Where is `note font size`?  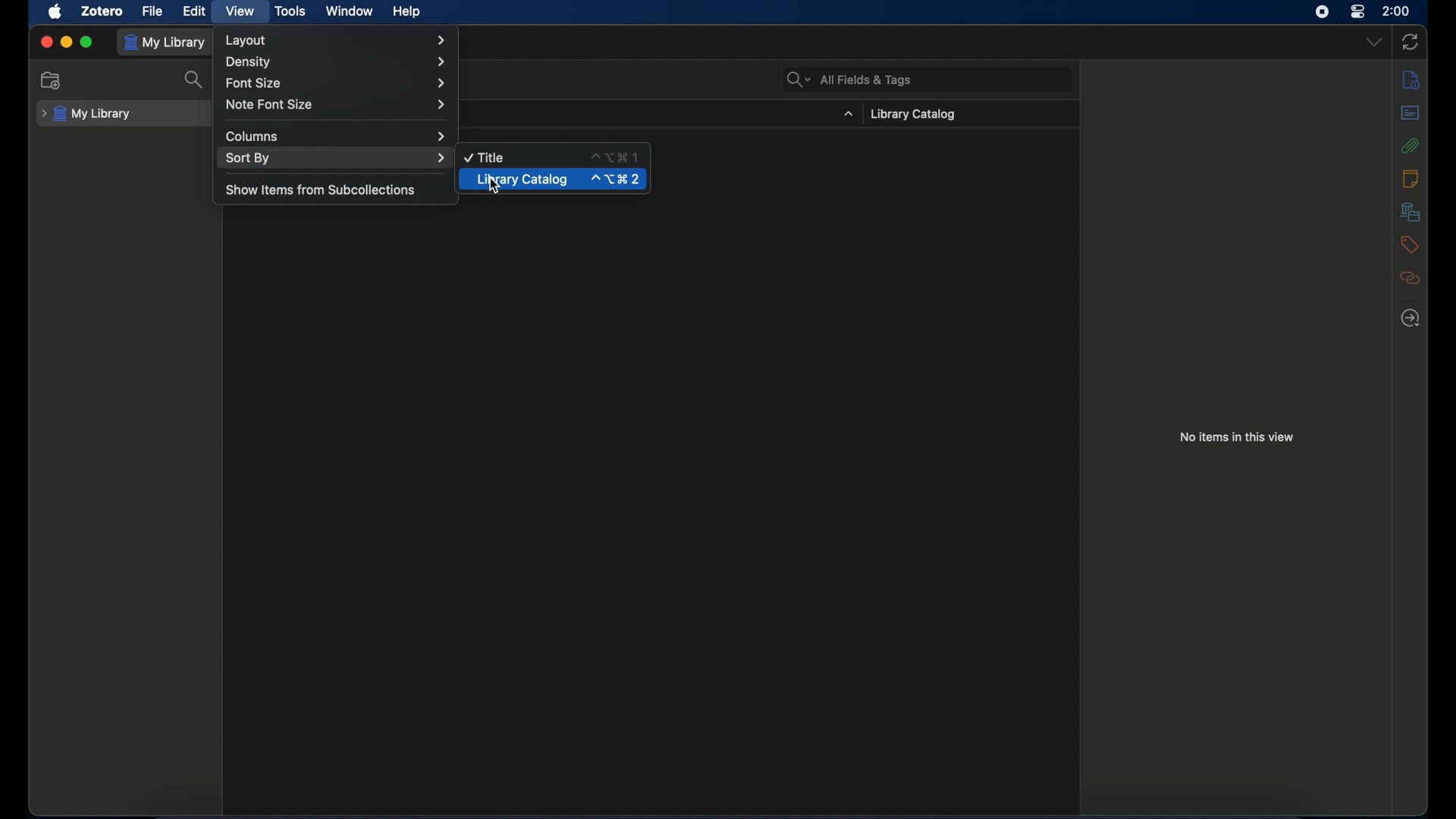 note font size is located at coordinates (338, 105).